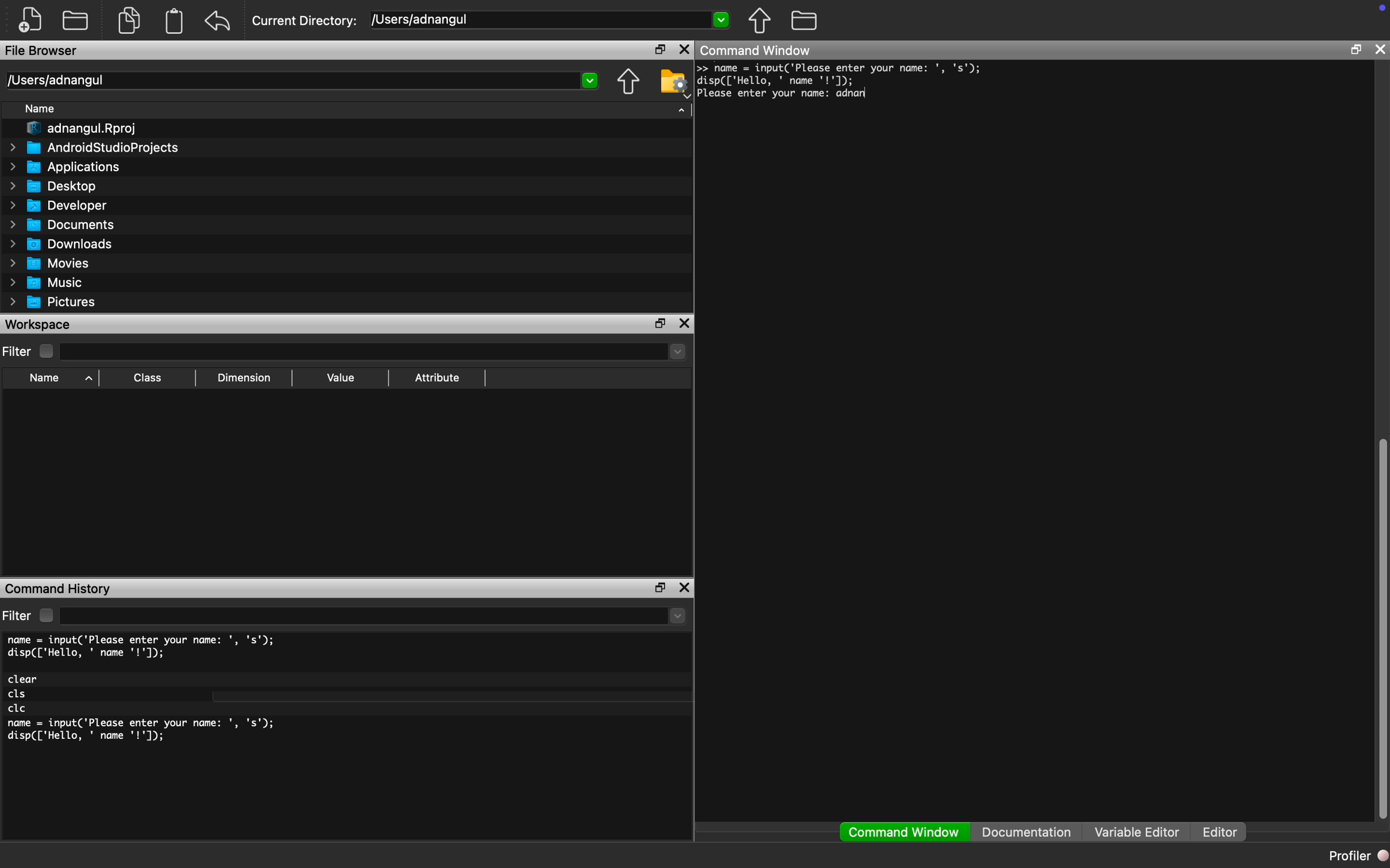 The width and height of the screenshot is (1390, 868). What do you see at coordinates (1382, 7) in the screenshot?
I see `icon` at bounding box center [1382, 7].